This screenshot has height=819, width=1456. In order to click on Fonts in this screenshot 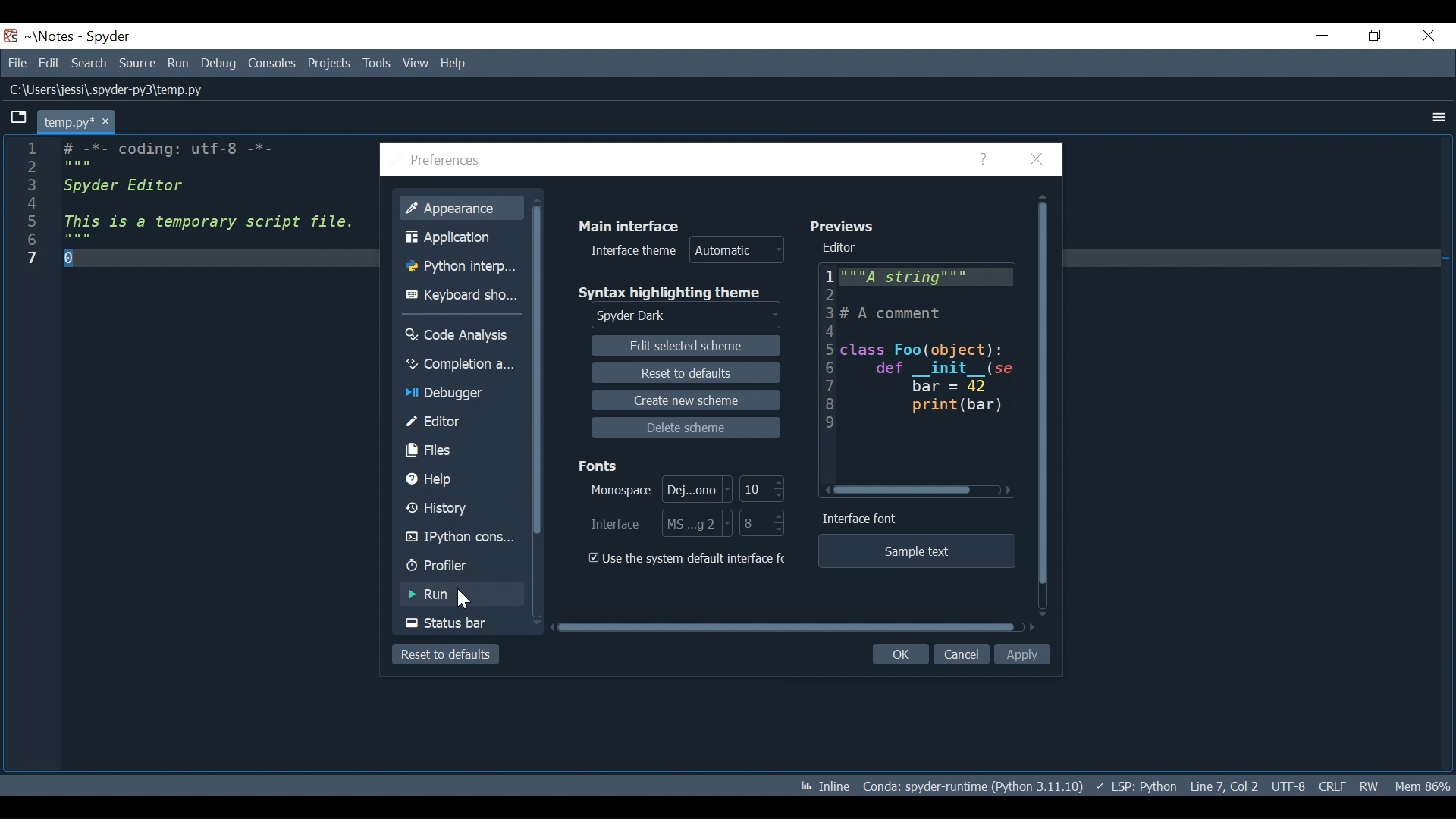, I will do `click(598, 466)`.